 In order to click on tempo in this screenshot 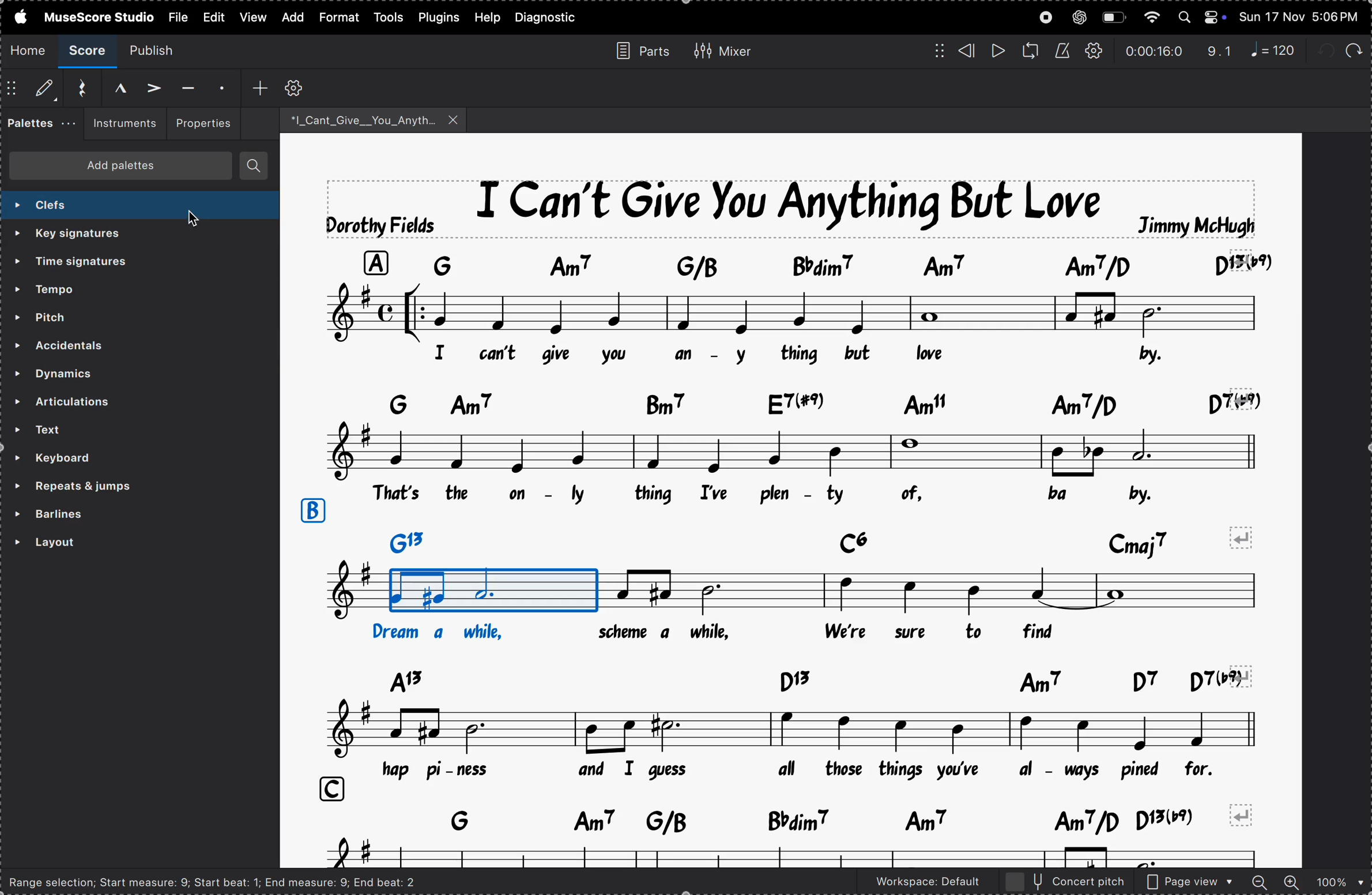, I will do `click(78, 290)`.